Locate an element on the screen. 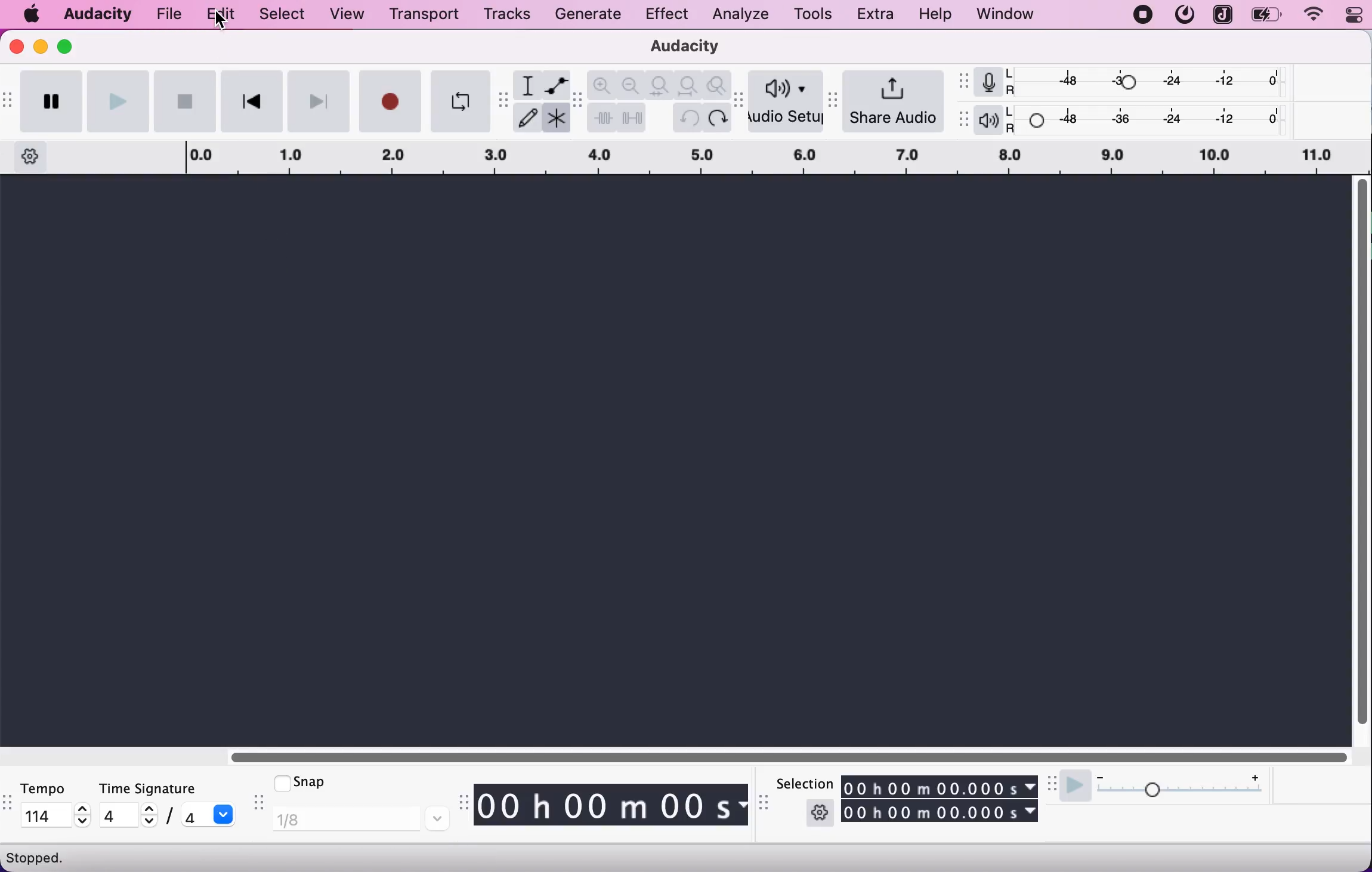  4 is located at coordinates (193, 817).